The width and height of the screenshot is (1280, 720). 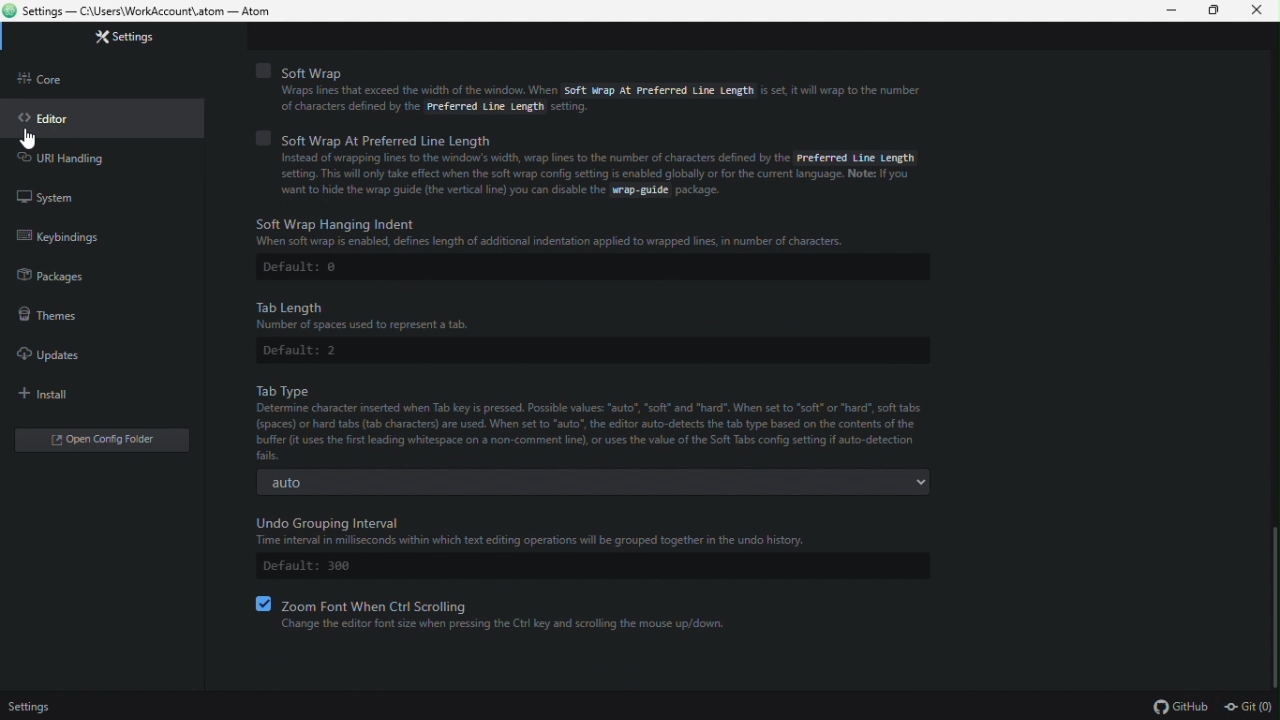 I want to click on Undo Grouping Interval
Time interval in milliseconds within which text editing operations will be grouped together in the undo history., so click(x=563, y=532).